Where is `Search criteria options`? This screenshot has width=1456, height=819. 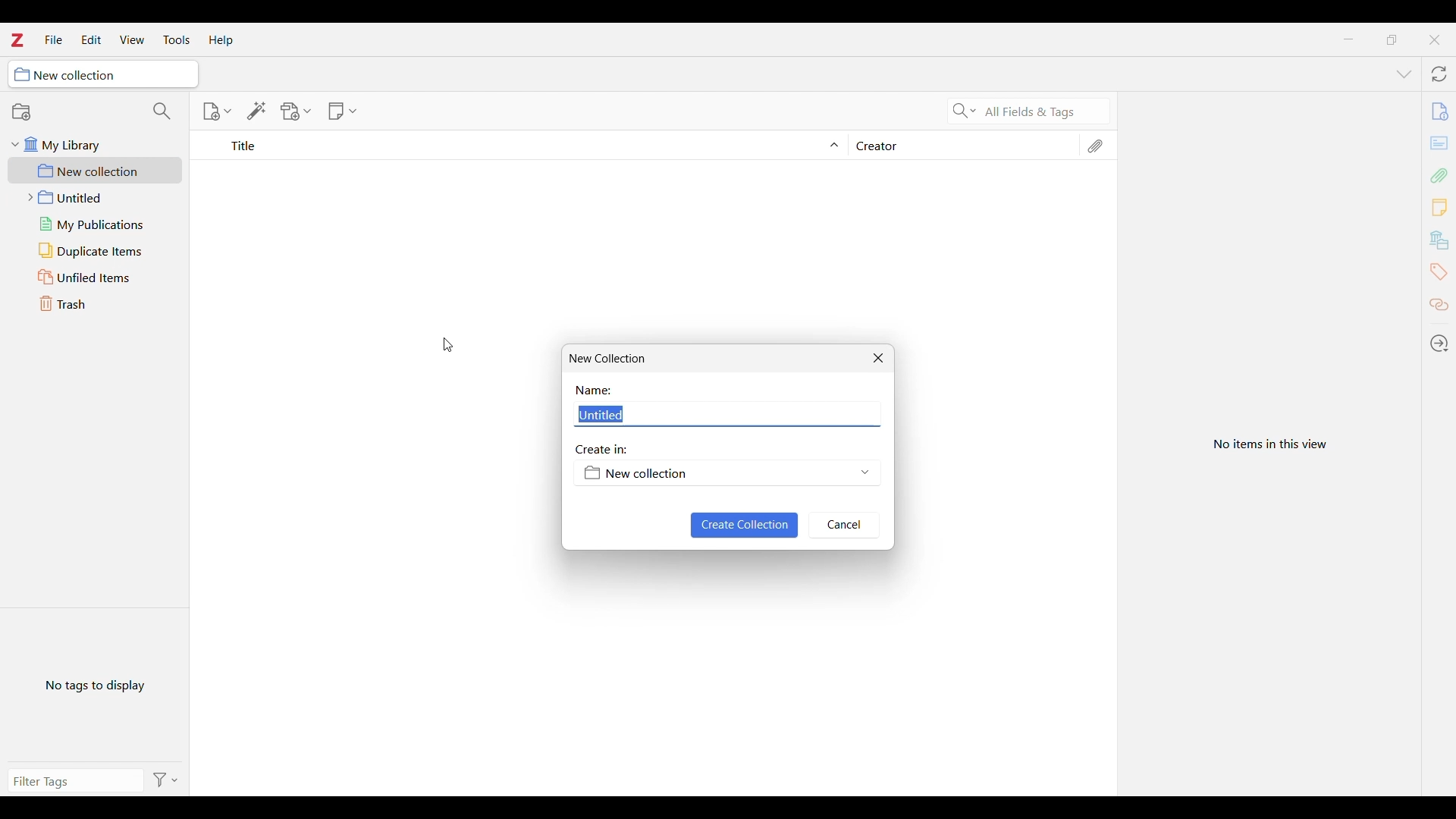 Search criteria options is located at coordinates (965, 110).